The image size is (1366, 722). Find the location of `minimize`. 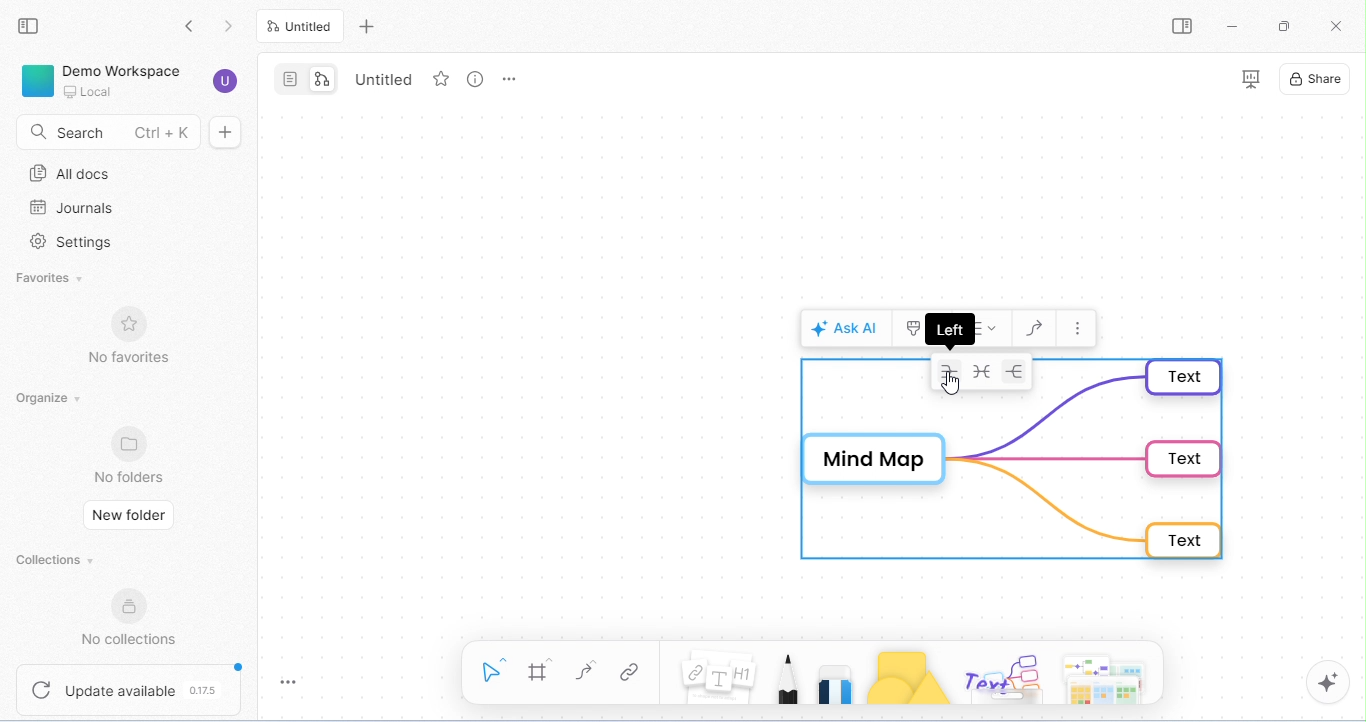

minimize is located at coordinates (1235, 26).